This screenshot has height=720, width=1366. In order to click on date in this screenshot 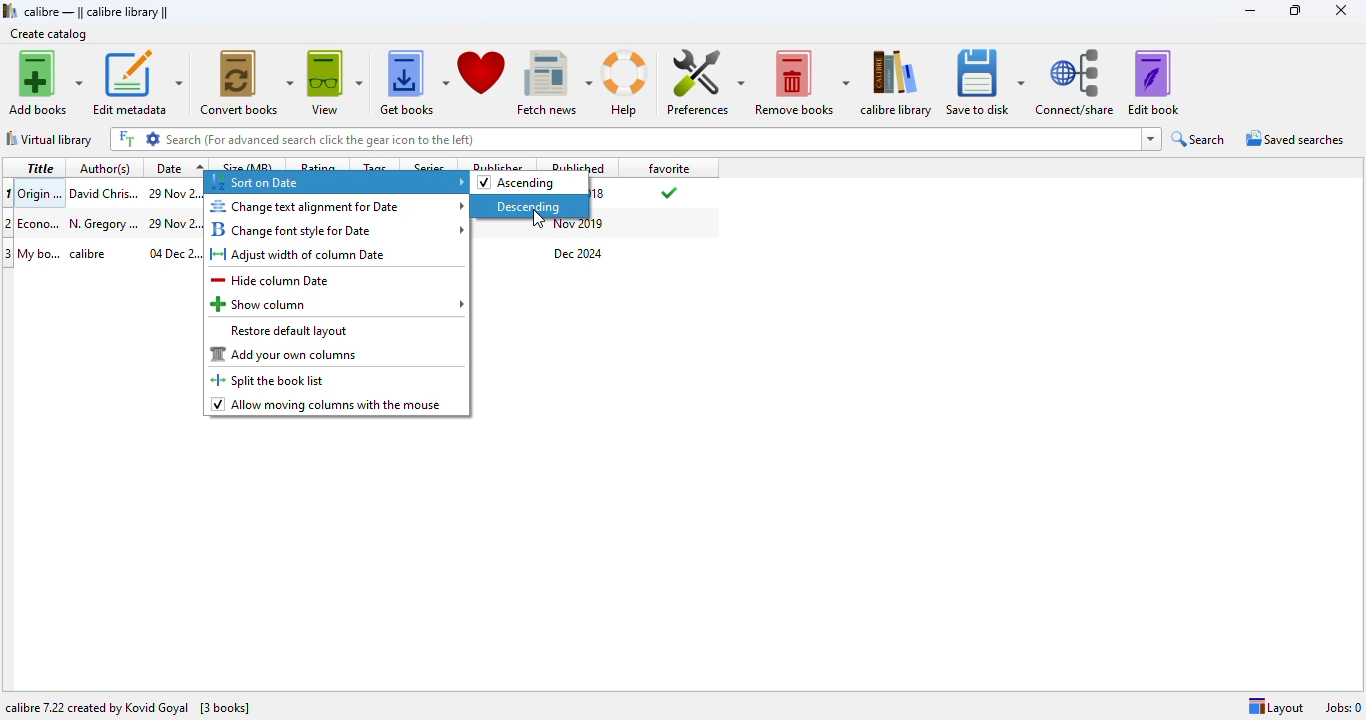, I will do `click(174, 193)`.